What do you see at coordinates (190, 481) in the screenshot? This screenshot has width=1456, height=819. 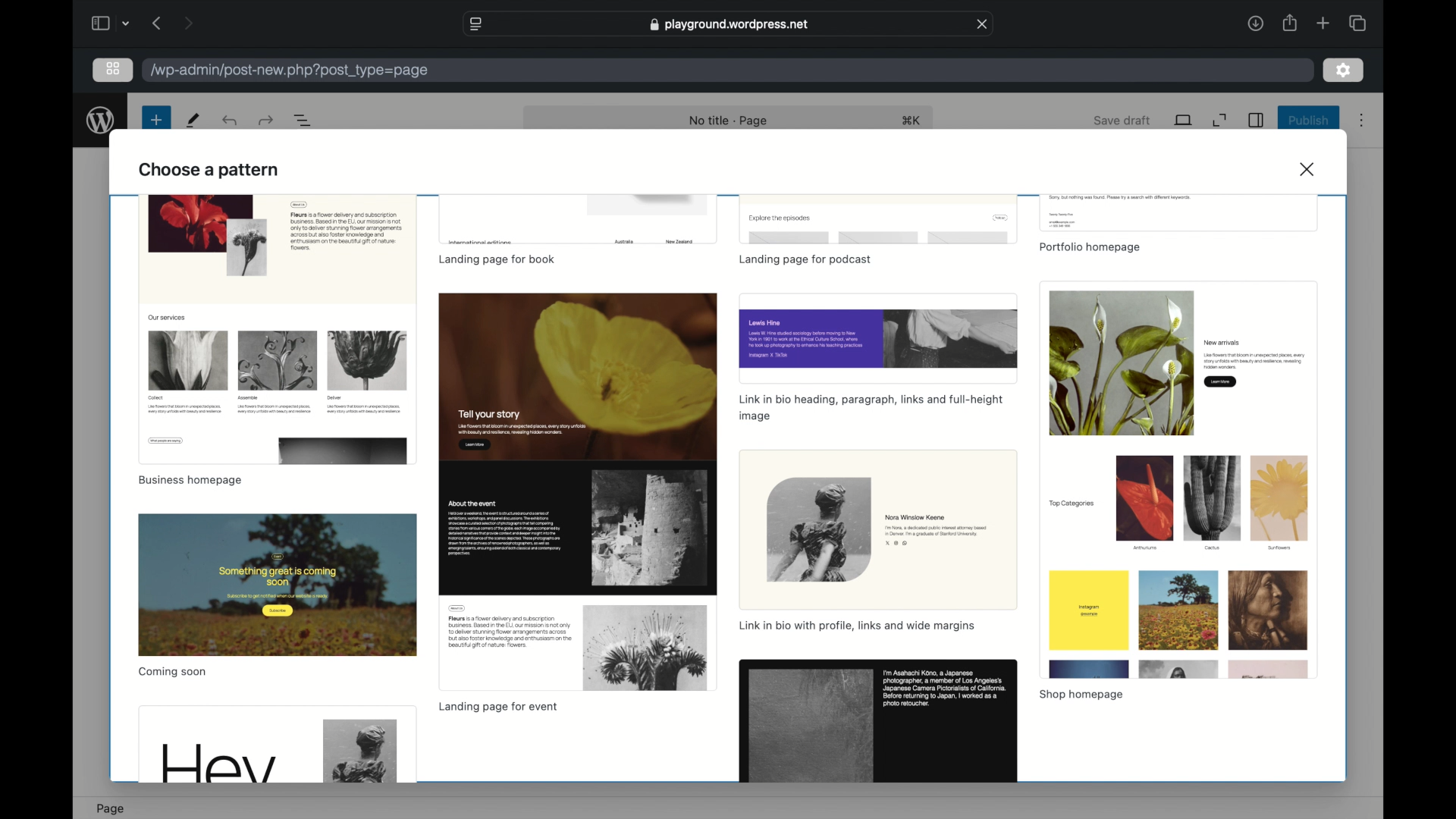 I see `template name` at bounding box center [190, 481].